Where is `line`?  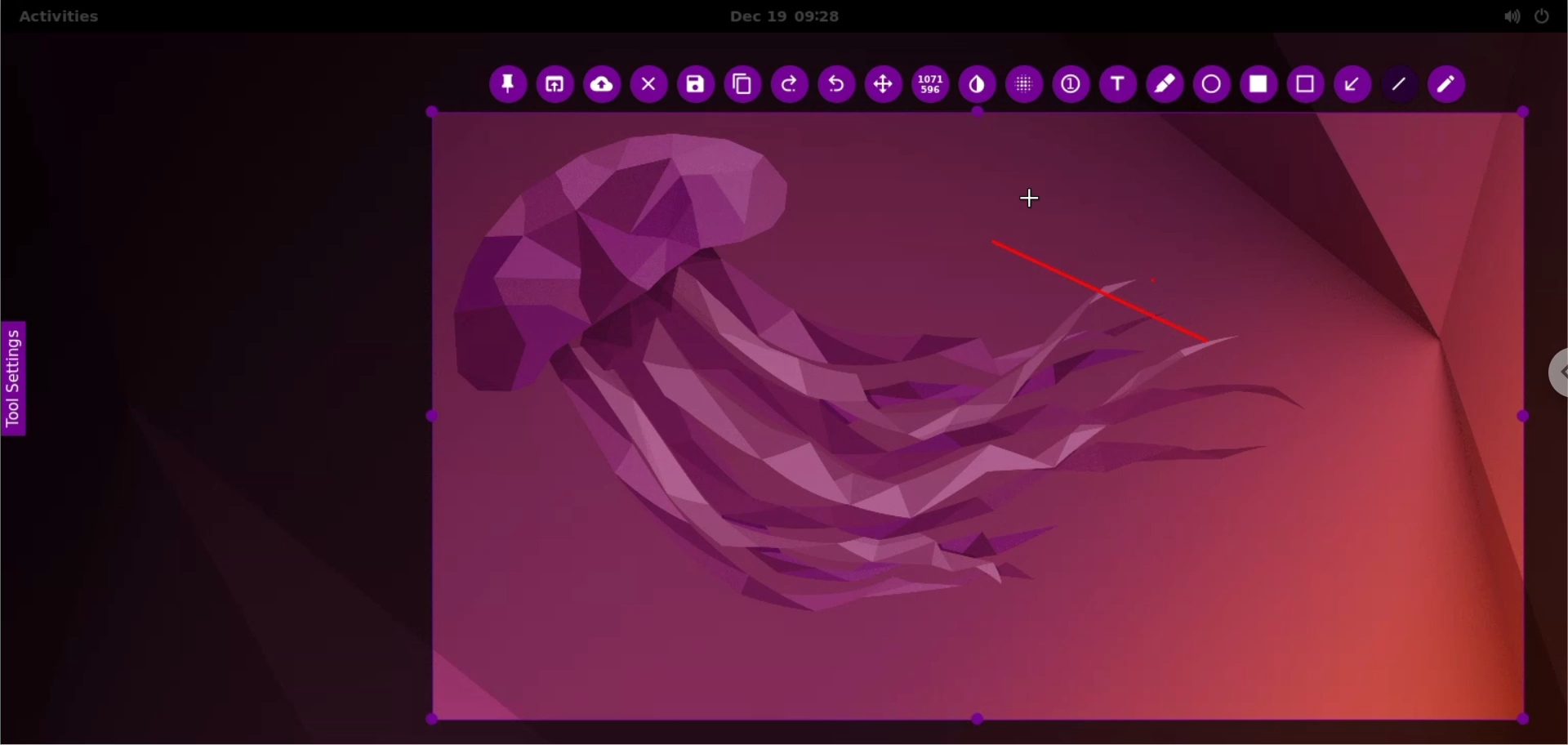 line is located at coordinates (1397, 85).